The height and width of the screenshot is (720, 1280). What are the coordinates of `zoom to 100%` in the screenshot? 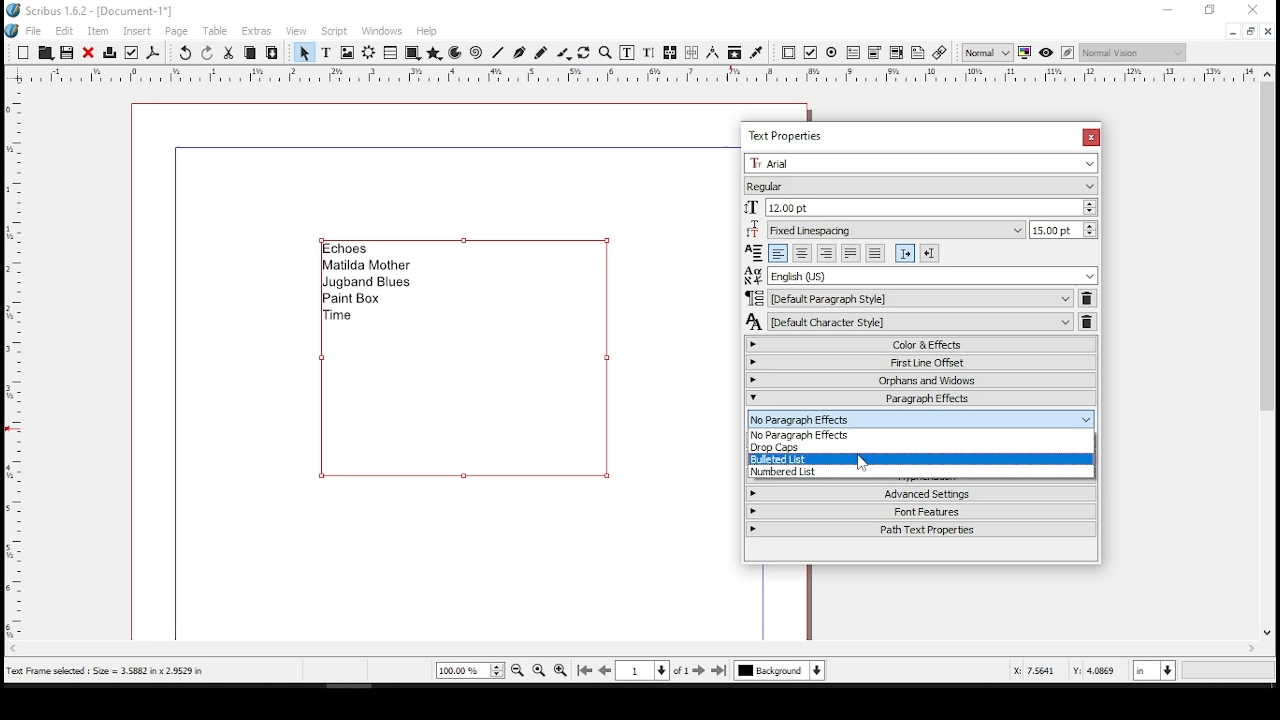 It's located at (539, 669).